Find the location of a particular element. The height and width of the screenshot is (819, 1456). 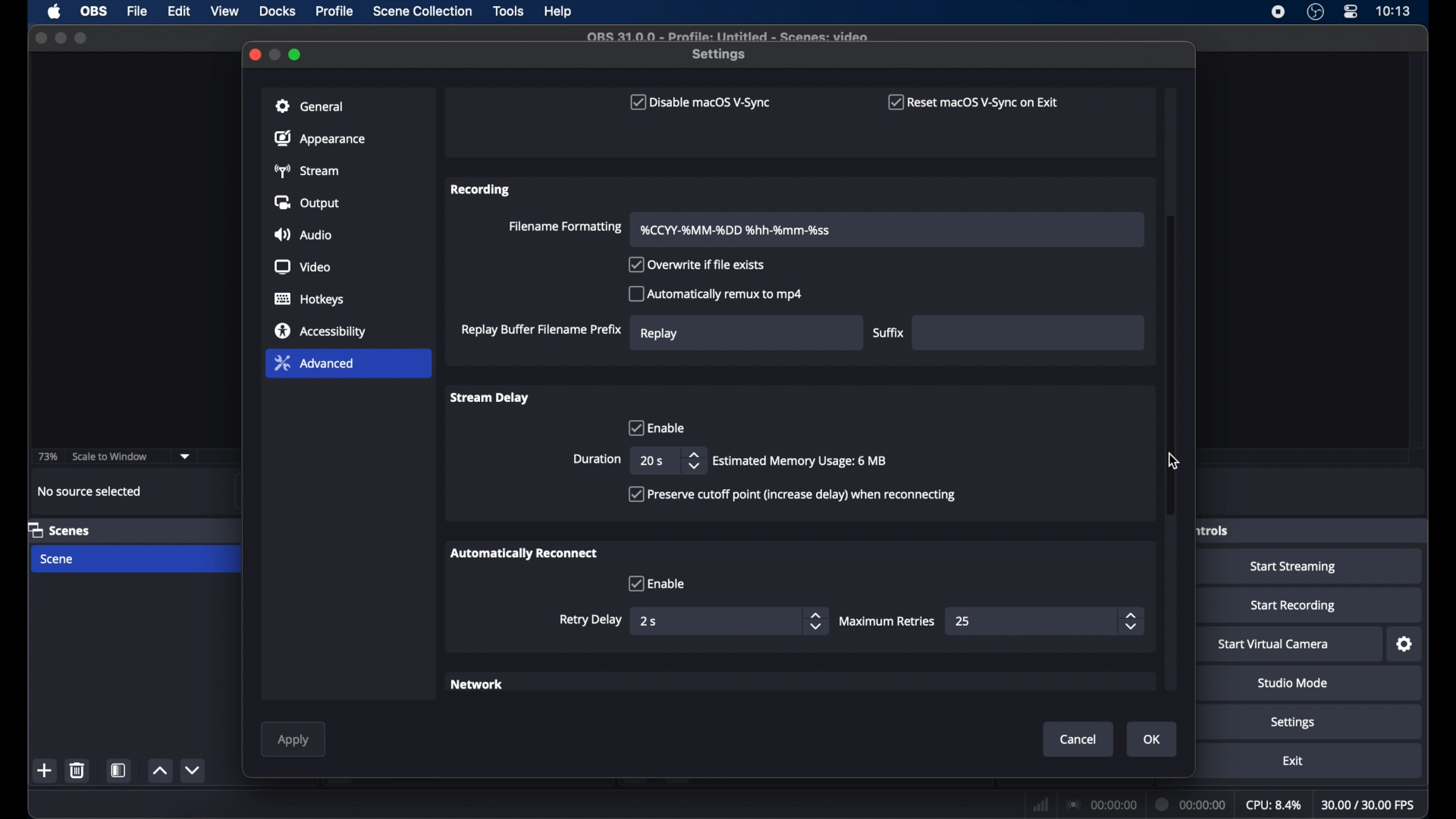

duration is located at coordinates (1191, 803).